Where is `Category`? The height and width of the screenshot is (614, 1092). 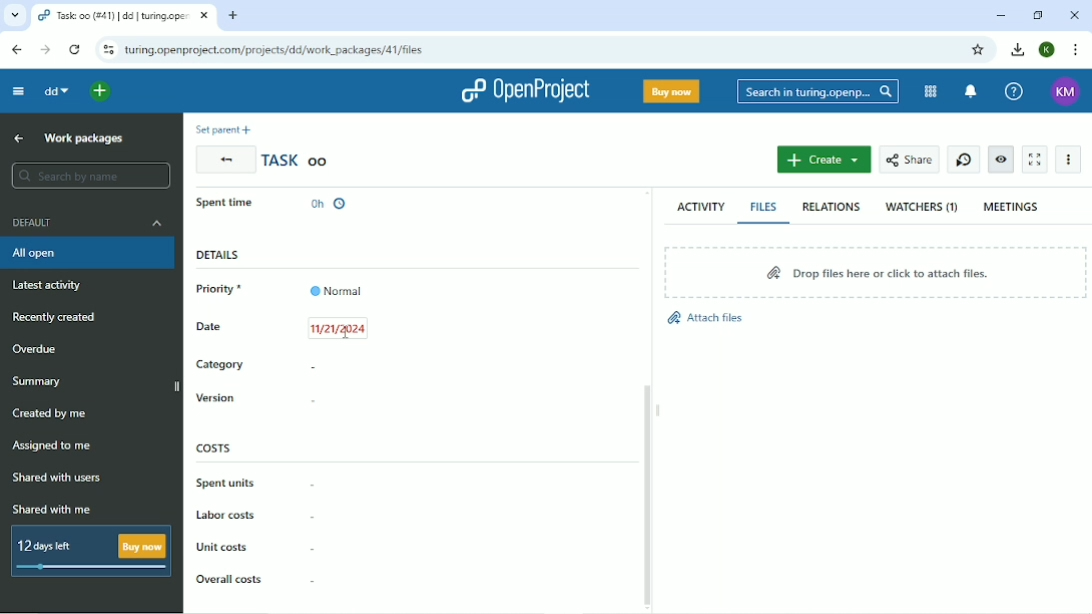
Category is located at coordinates (221, 364).